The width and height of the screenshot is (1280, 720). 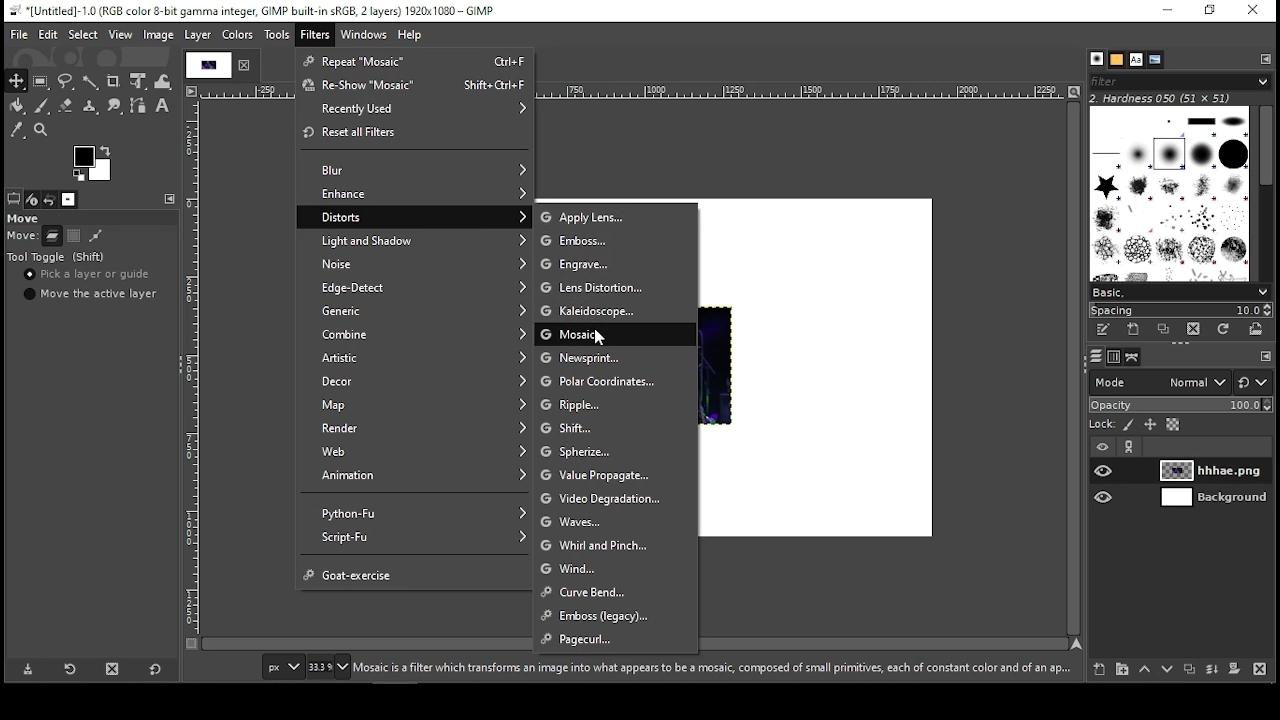 What do you see at coordinates (55, 257) in the screenshot?
I see `tool toggle` at bounding box center [55, 257].